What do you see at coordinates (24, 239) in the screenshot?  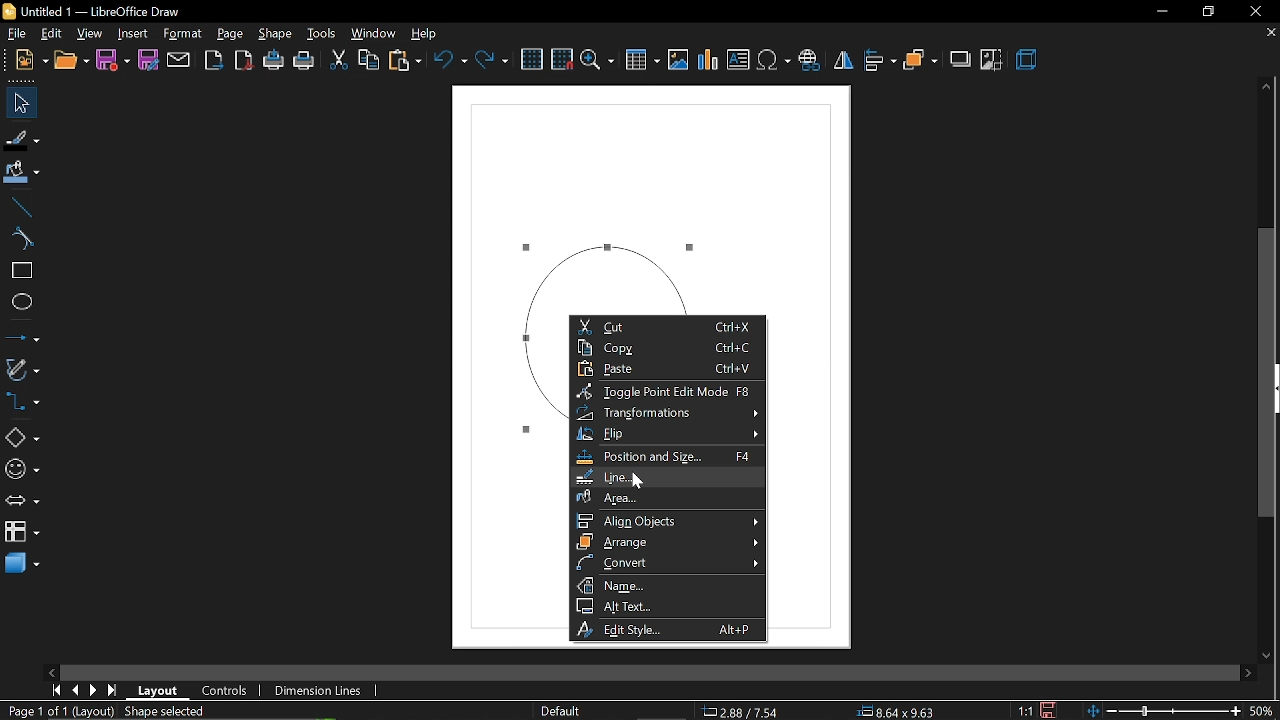 I see `curve` at bounding box center [24, 239].